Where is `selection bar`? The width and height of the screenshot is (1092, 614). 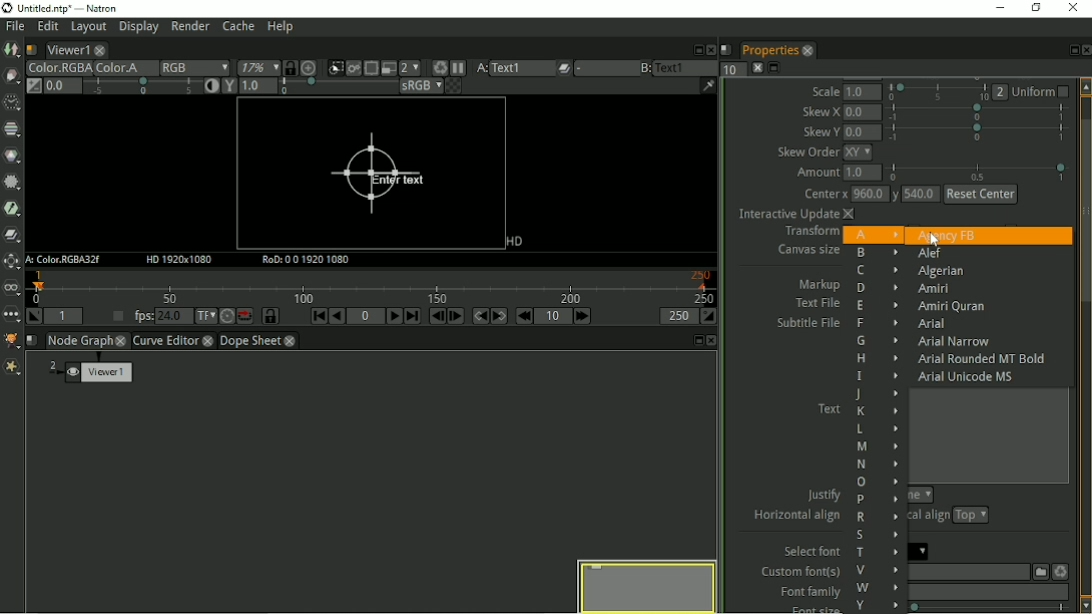 selection bar is located at coordinates (977, 132).